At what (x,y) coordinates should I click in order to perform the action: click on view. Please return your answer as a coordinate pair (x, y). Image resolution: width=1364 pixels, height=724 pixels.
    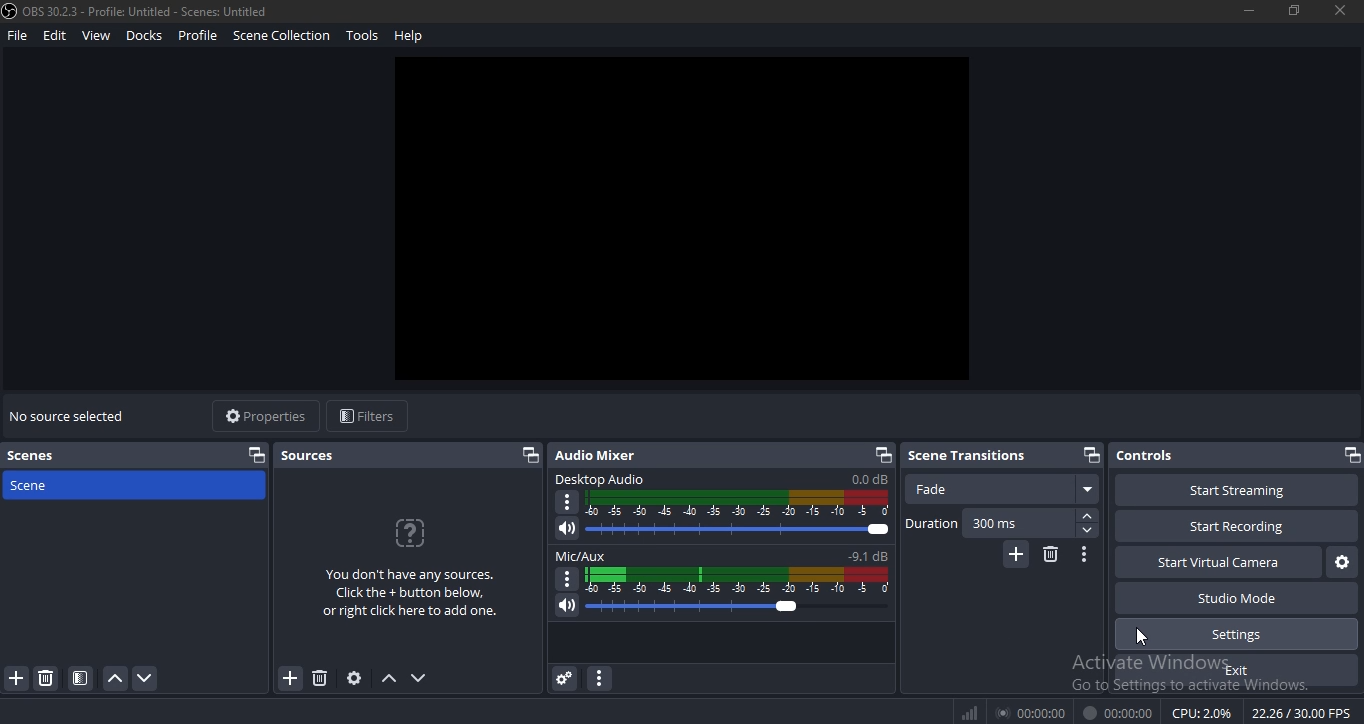
    Looking at the image, I should click on (95, 36).